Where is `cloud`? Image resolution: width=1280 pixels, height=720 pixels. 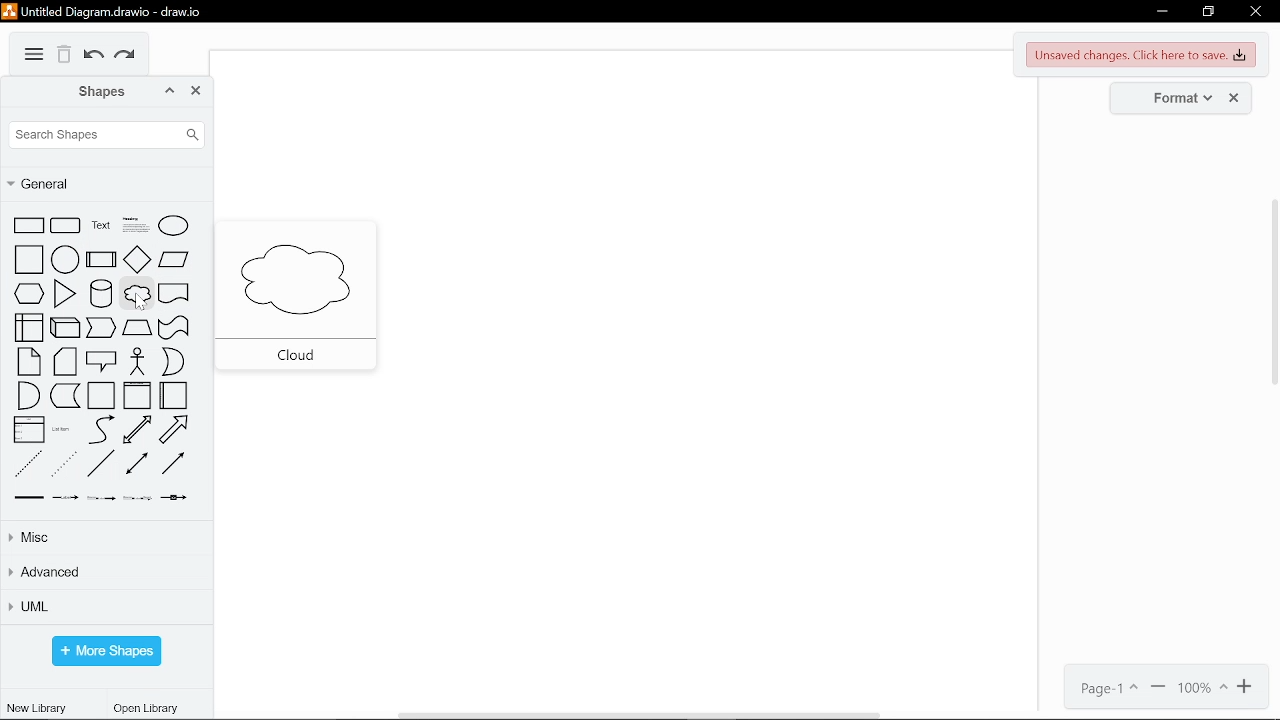 cloud is located at coordinates (136, 294).